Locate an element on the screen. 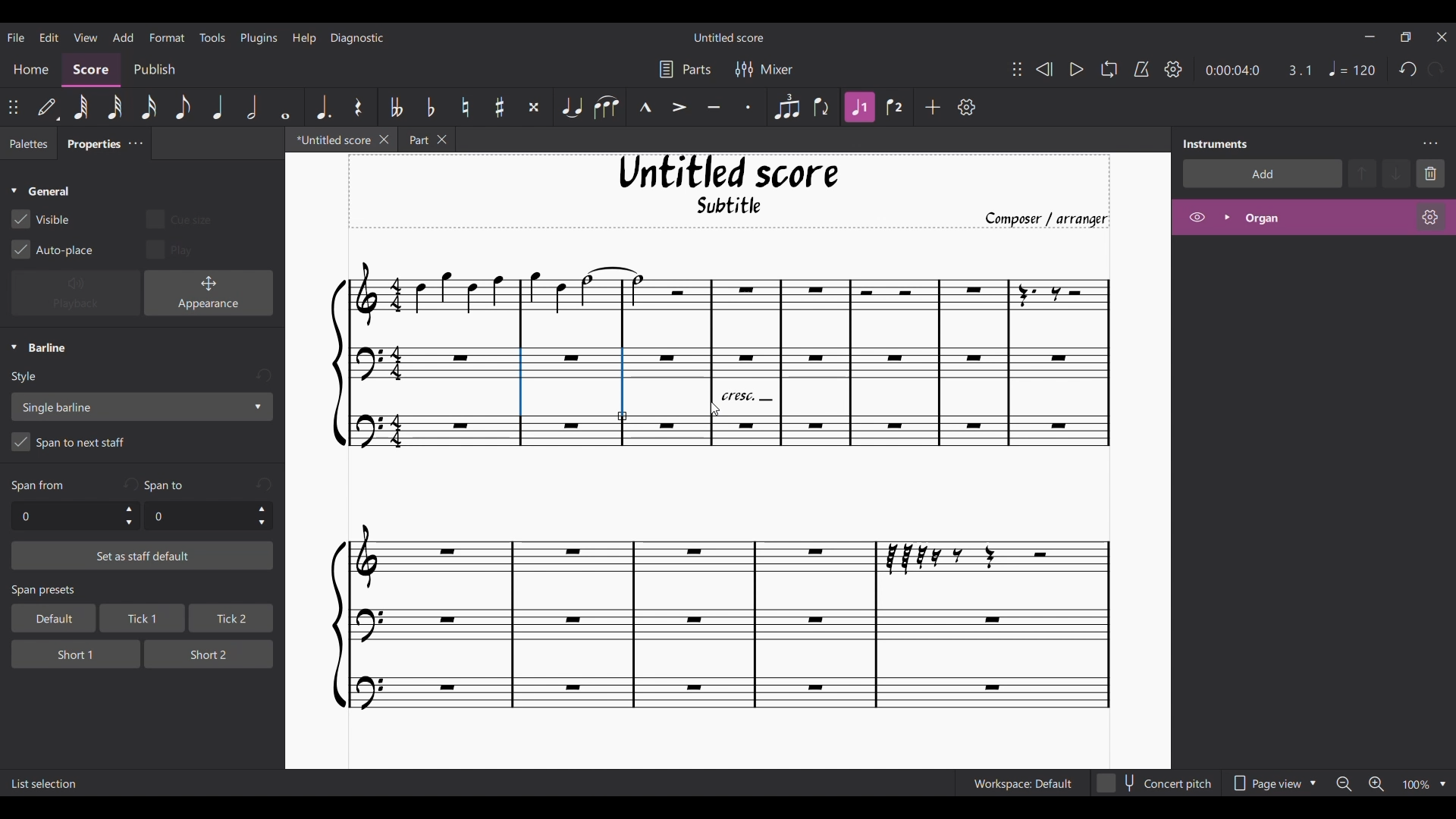 The width and height of the screenshot is (1456, 819). Slur is located at coordinates (606, 107).